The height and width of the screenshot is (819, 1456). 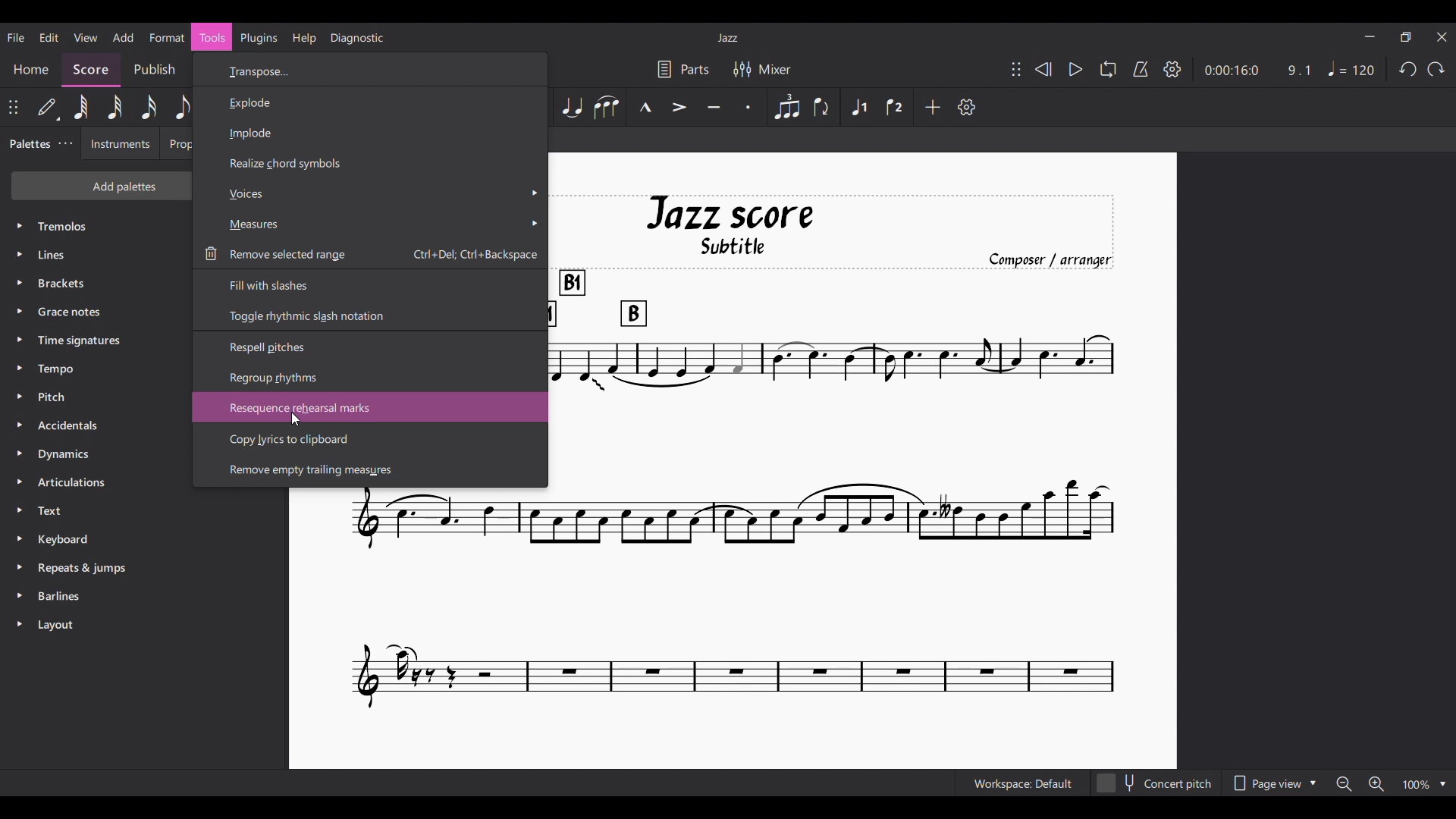 What do you see at coordinates (1425, 783) in the screenshot?
I see `Zoom options` at bounding box center [1425, 783].